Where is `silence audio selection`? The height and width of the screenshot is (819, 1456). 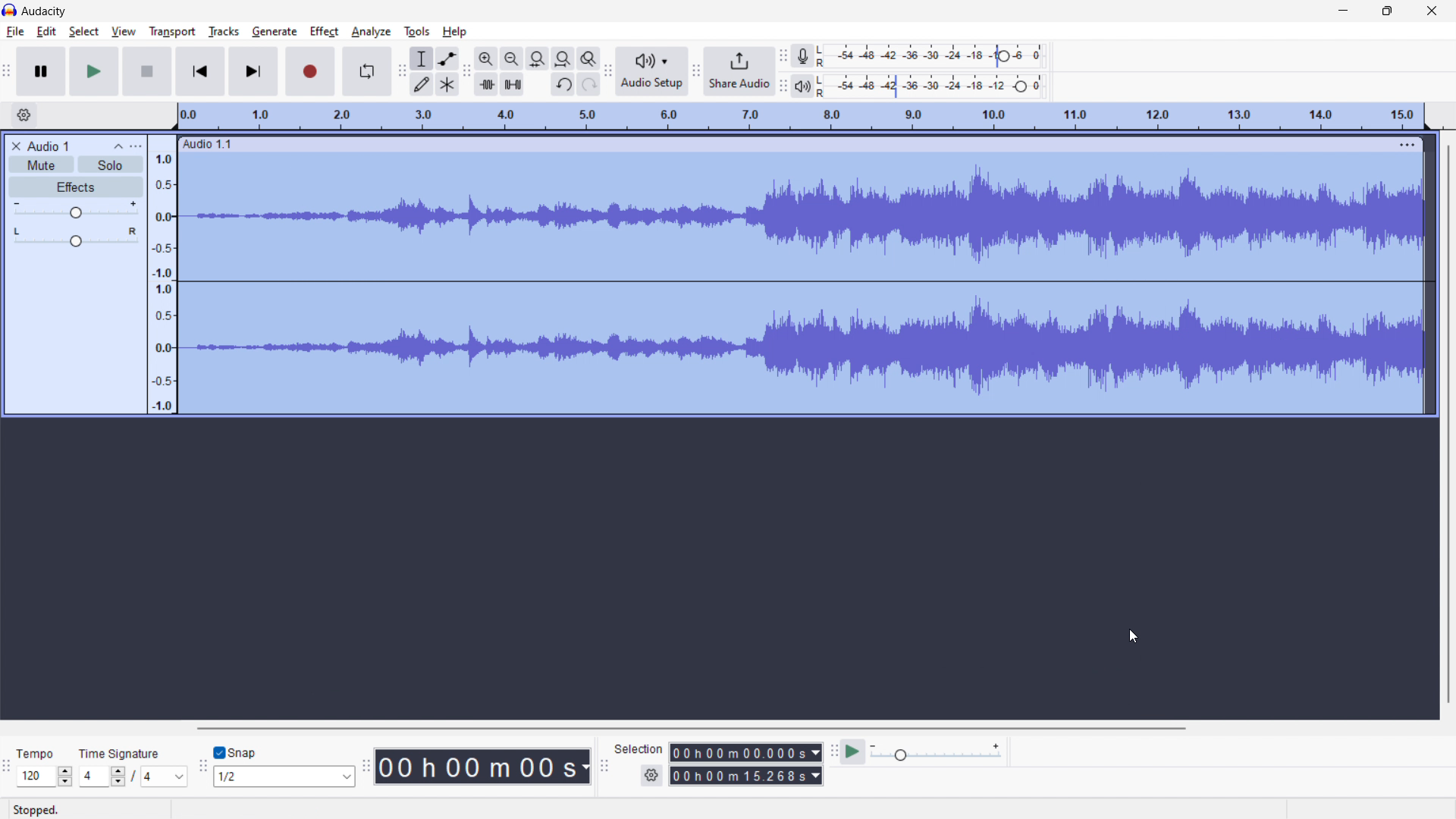 silence audio selection is located at coordinates (513, 84).